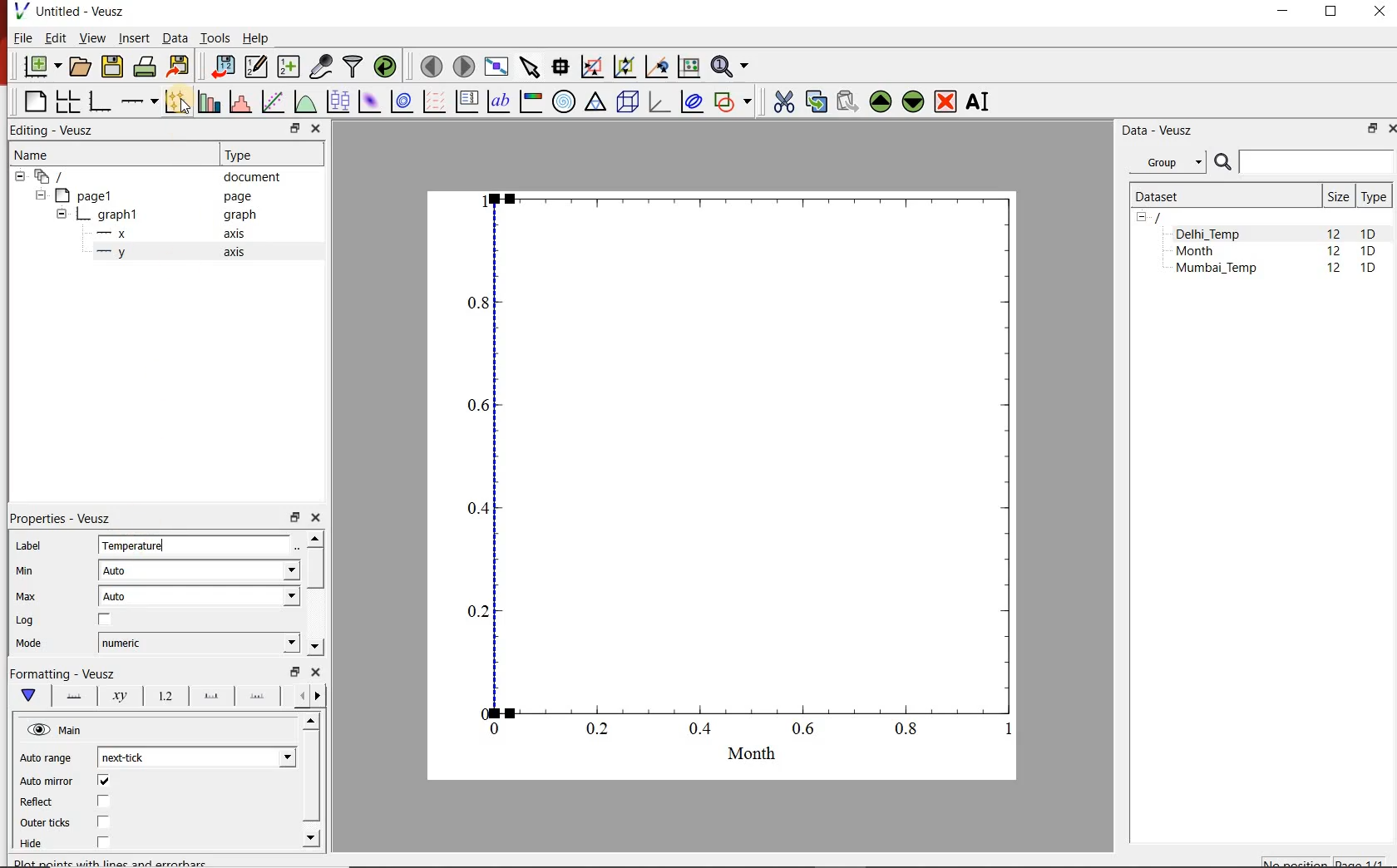 This screenshot has width=1397, height=868. What do you see at coordinates (1303, 163) in the screenshot?
I see `SEARCH DATASETS` at bounding box center [1303, 163].